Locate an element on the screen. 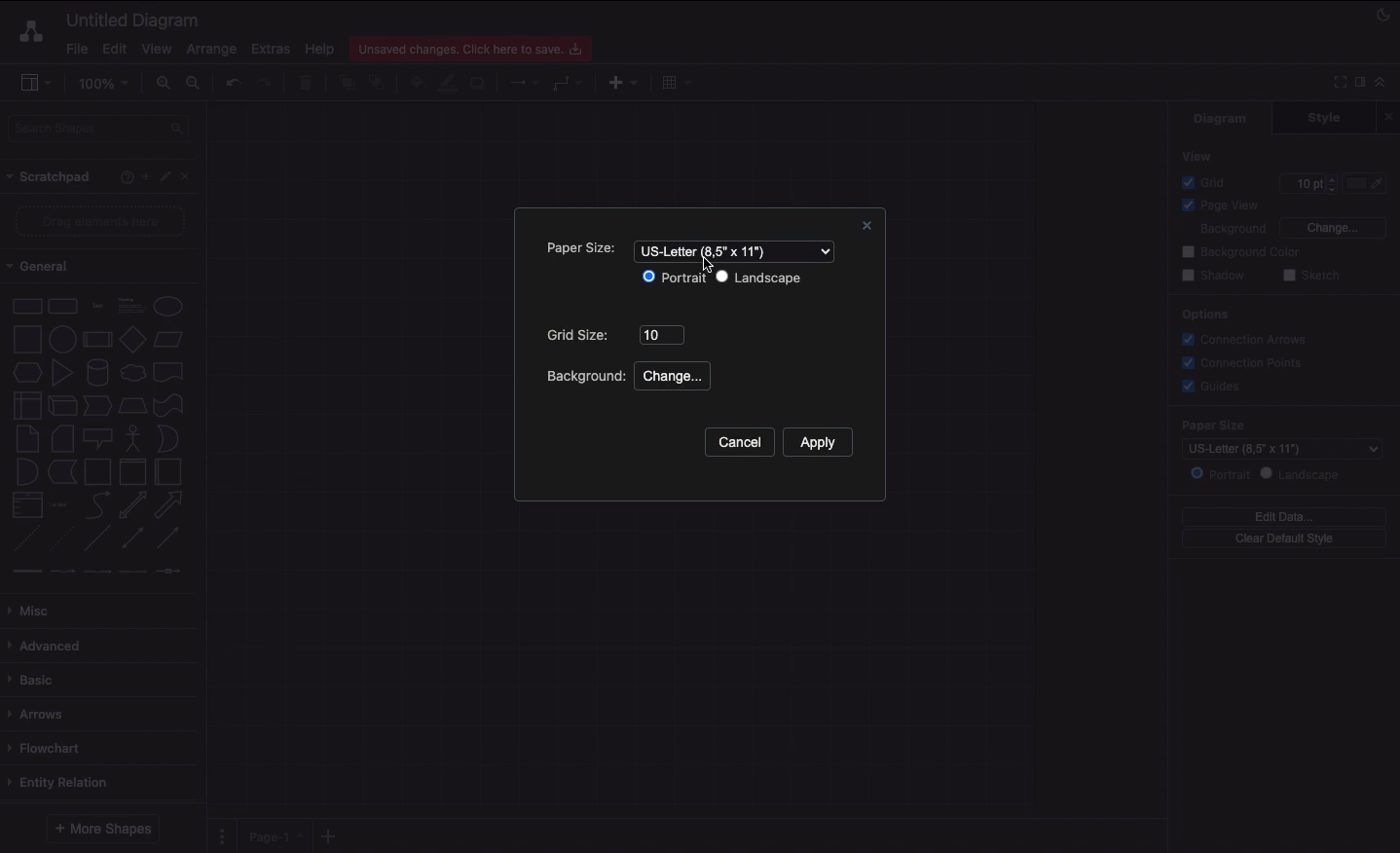  Add new pages is located at coordinates (331, 837).